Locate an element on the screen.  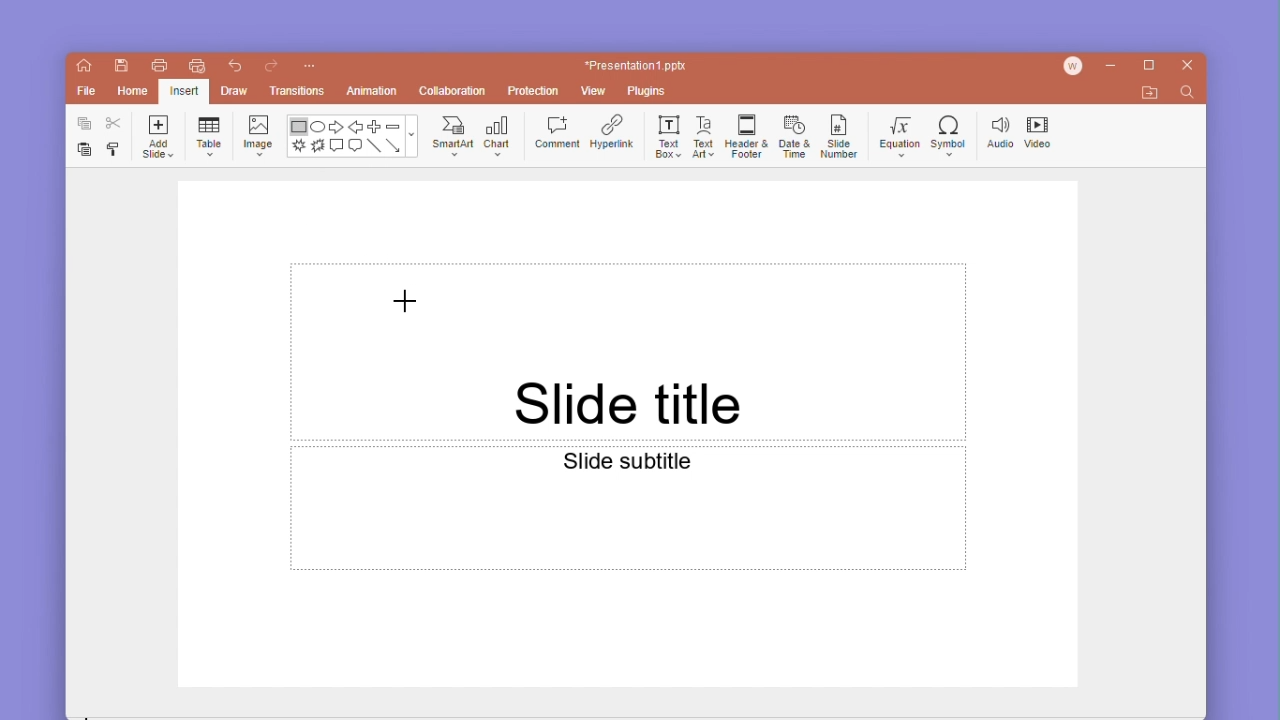
home is located at coordinates (129, 93).